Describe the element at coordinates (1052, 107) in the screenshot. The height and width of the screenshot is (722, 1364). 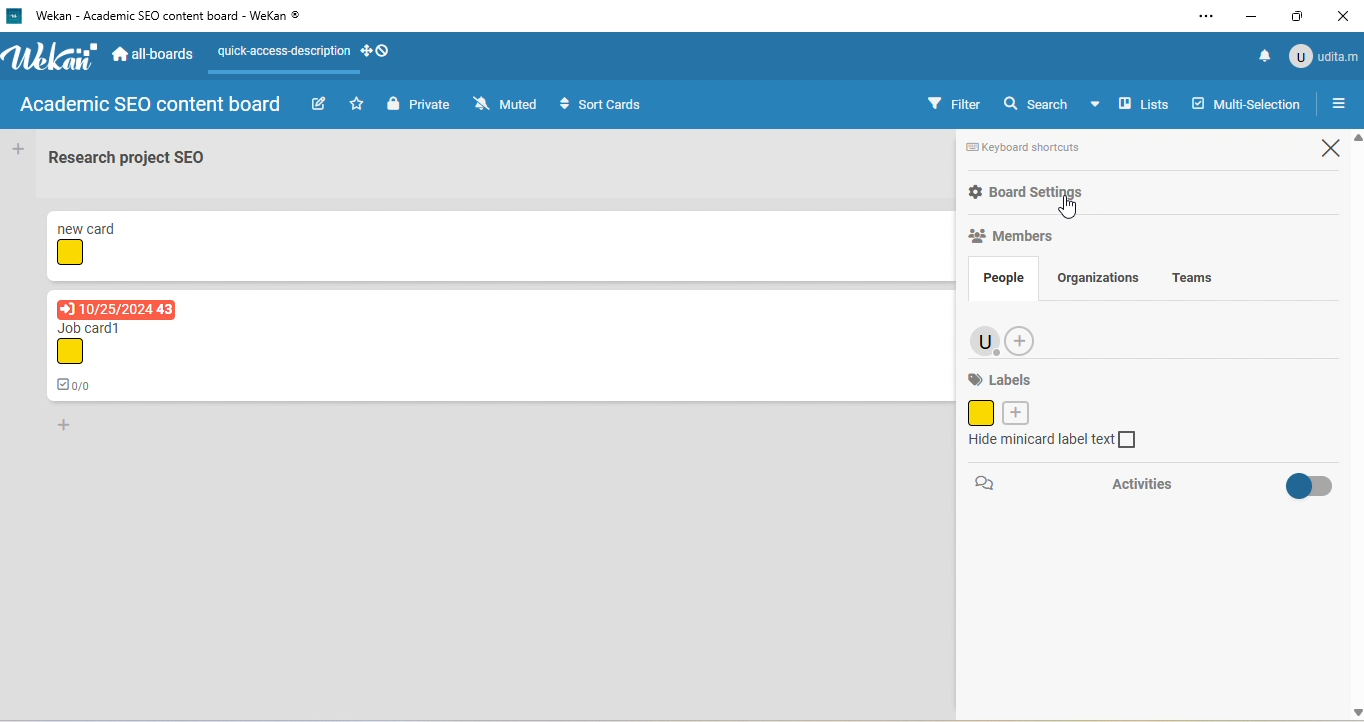
I see `search` at that location.